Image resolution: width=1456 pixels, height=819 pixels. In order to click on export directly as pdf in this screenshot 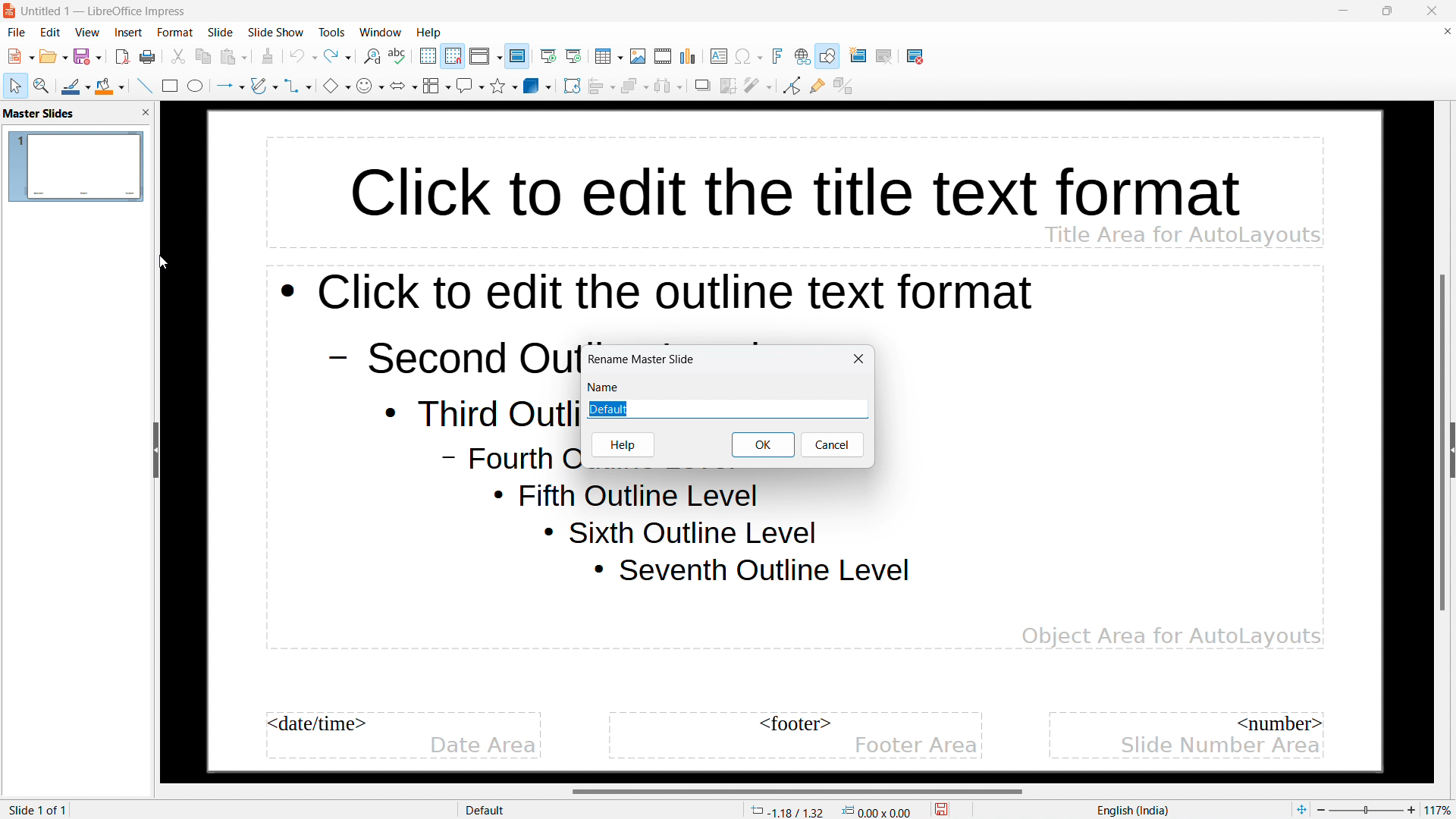, I will do `click(123, 58)`.